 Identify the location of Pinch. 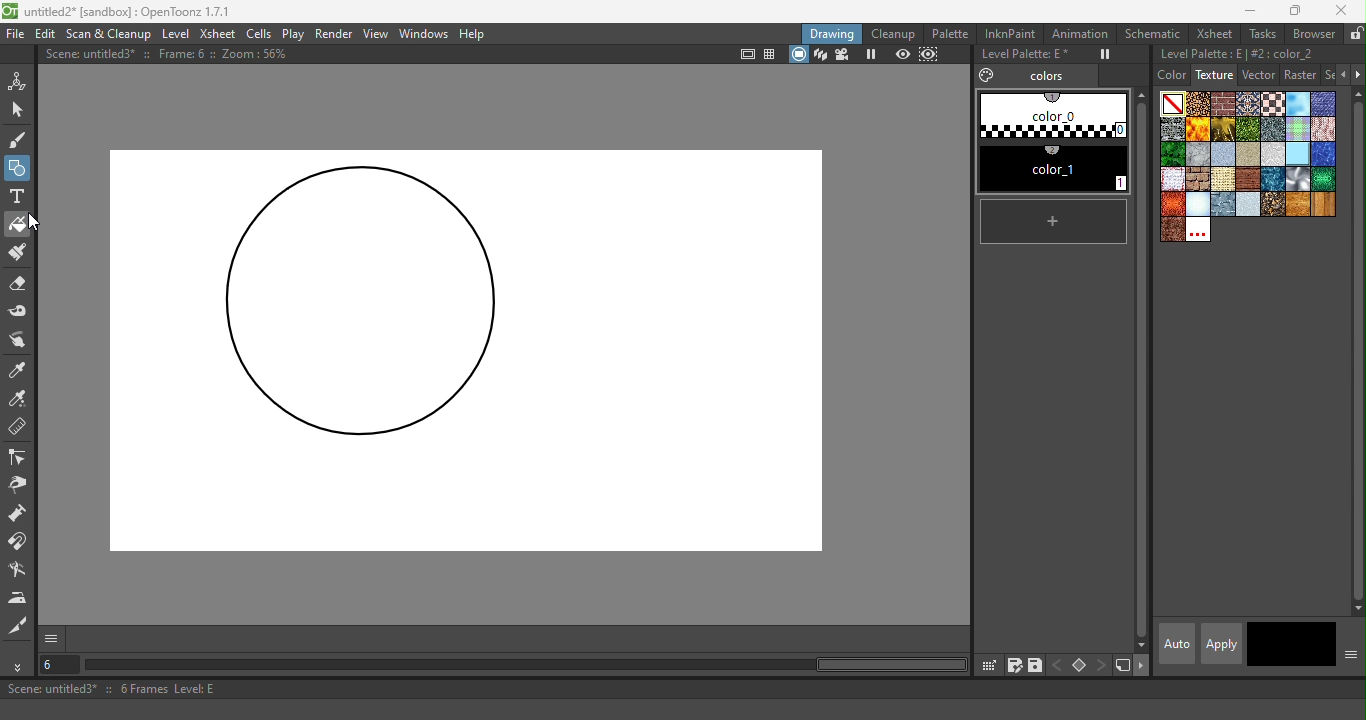
(19, 487).